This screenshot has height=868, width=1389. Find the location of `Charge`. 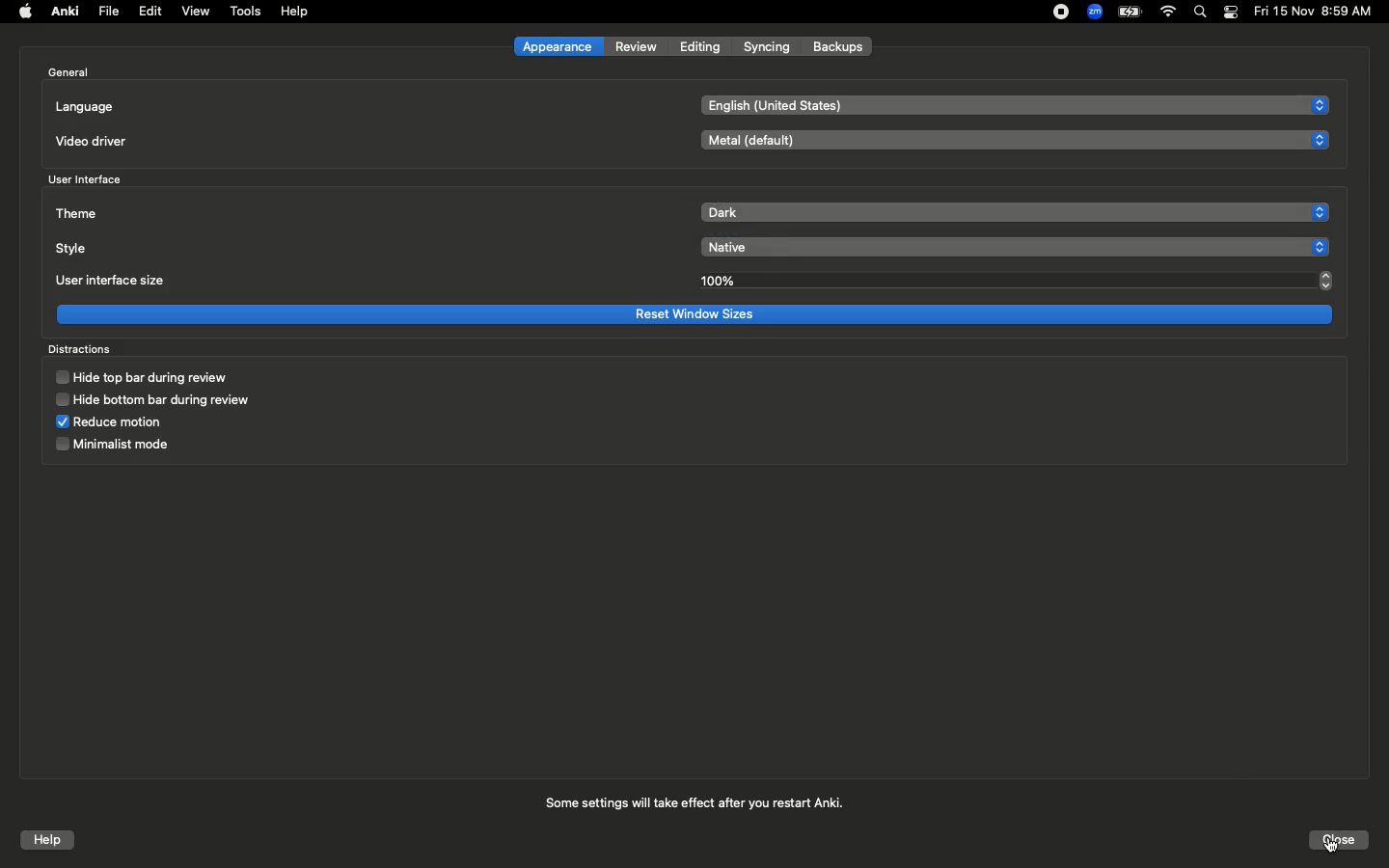

Charge is located at coordinates (1131, 12).